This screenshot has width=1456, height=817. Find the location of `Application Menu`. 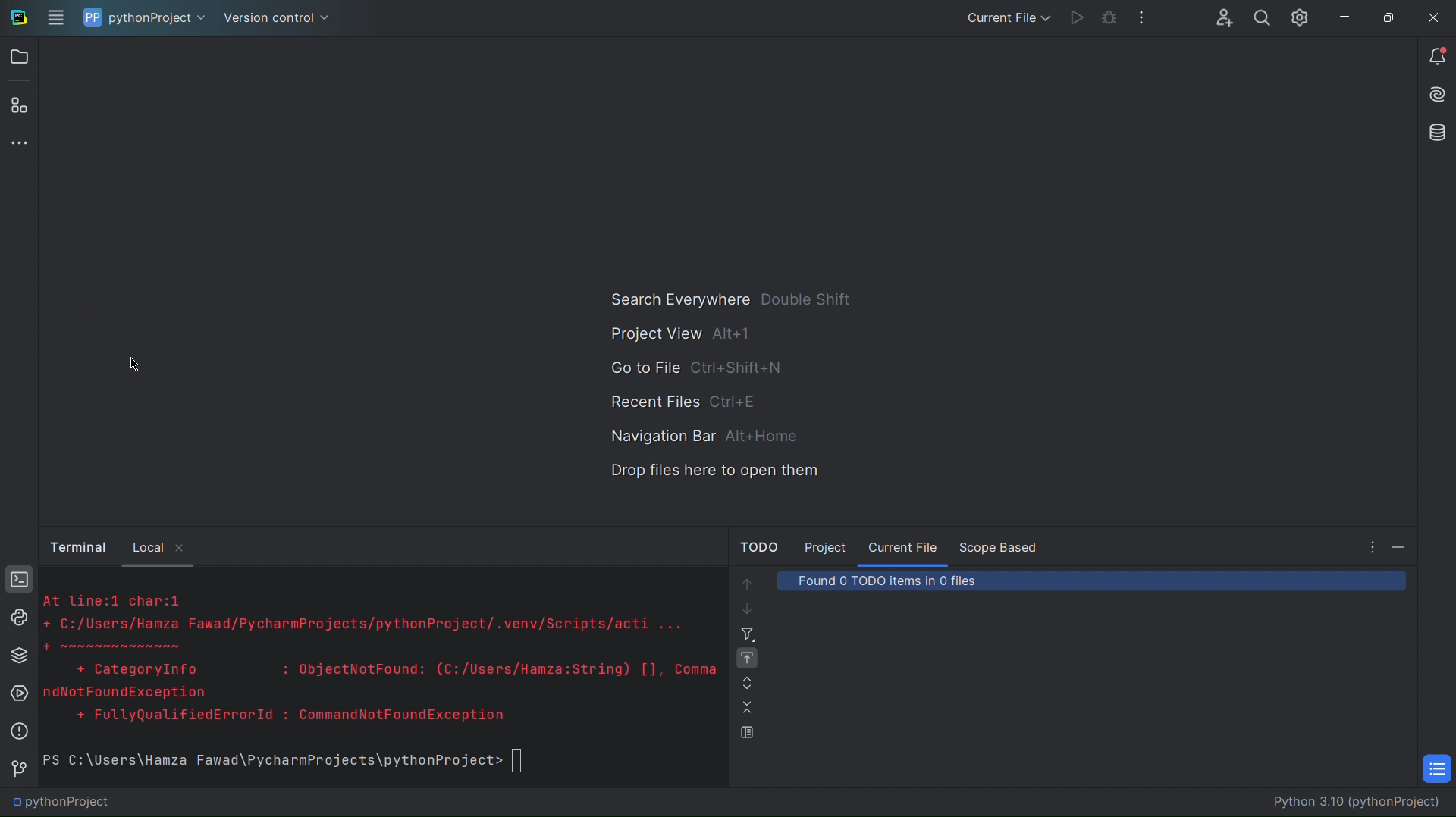

Application Menu is located at coordinates (57, 19).